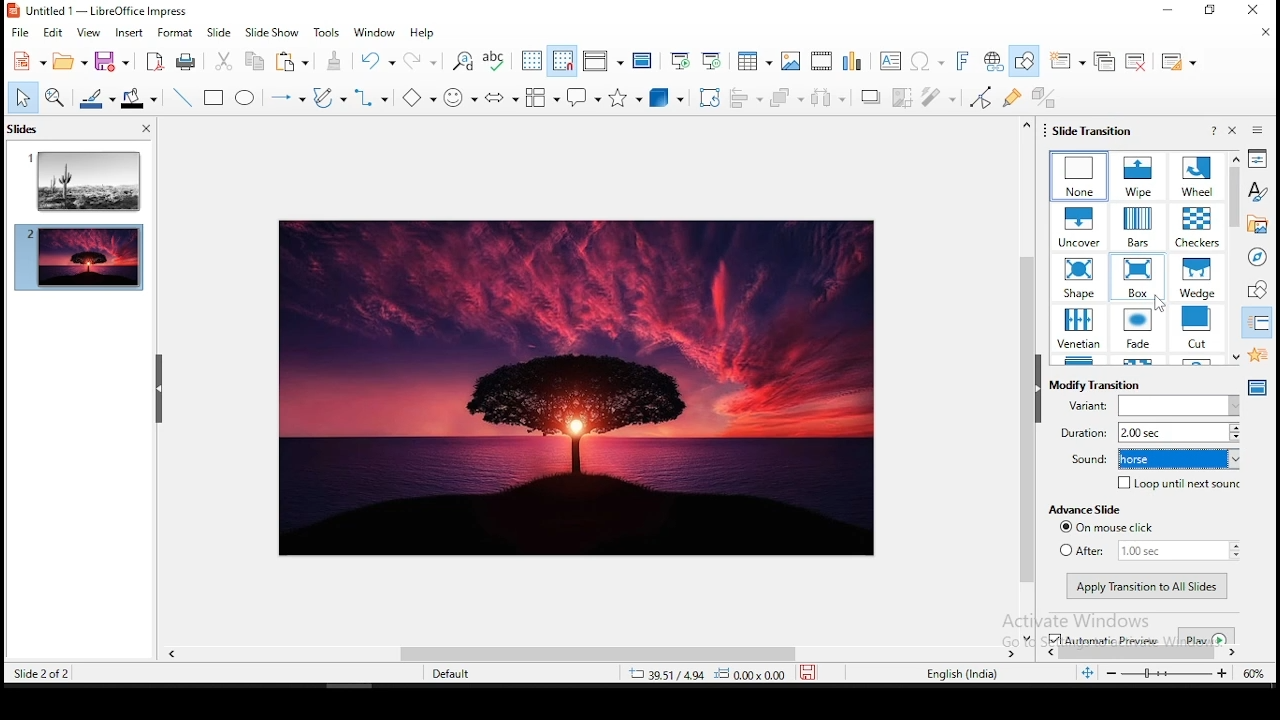 The height and width of the screenshot is (720, 1280). Describe the element at coordinates (1165, 673) in the screenshot. I see `zoom` at that location.